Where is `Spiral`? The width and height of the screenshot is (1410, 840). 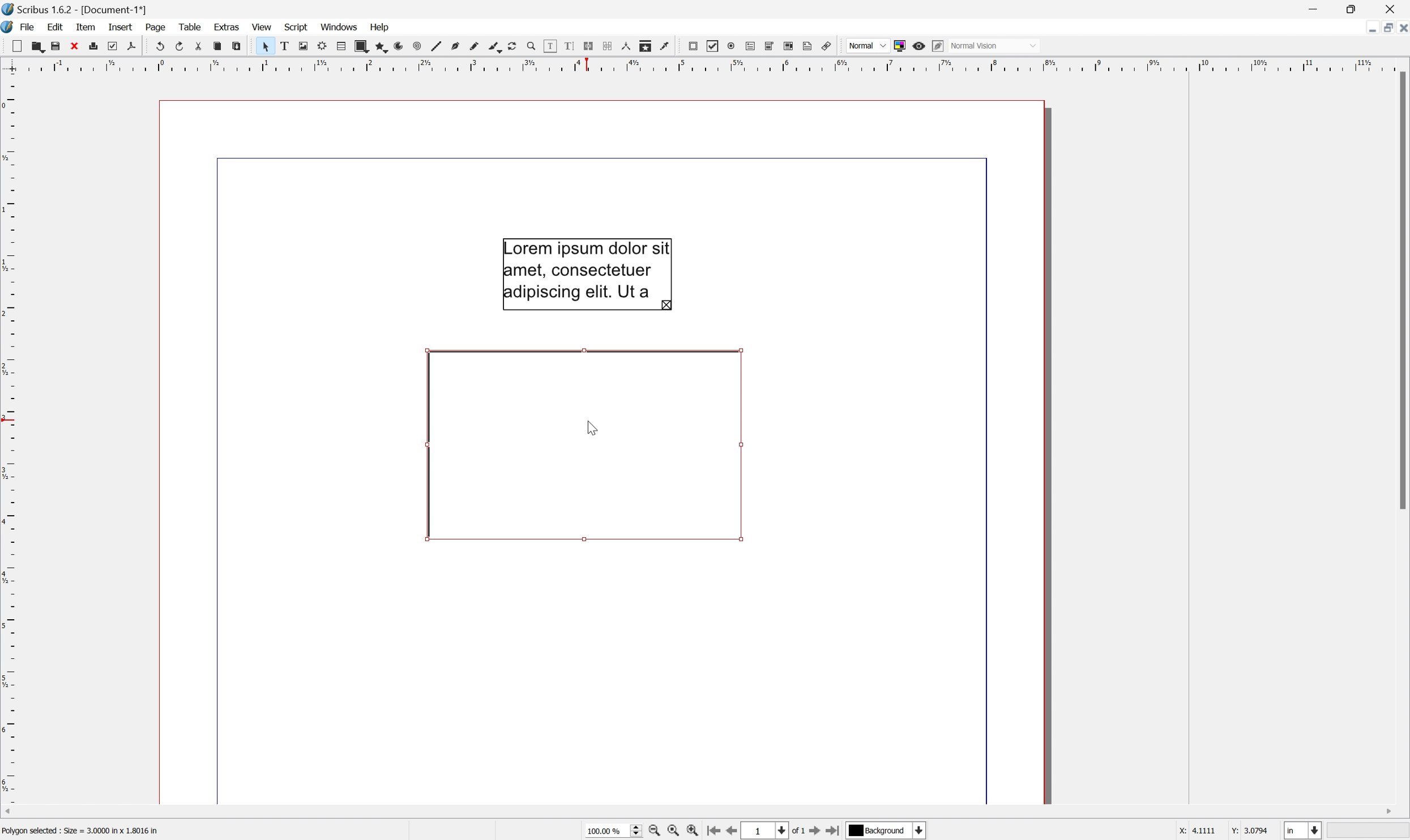 Spiral is located at coordinates (417, 46).